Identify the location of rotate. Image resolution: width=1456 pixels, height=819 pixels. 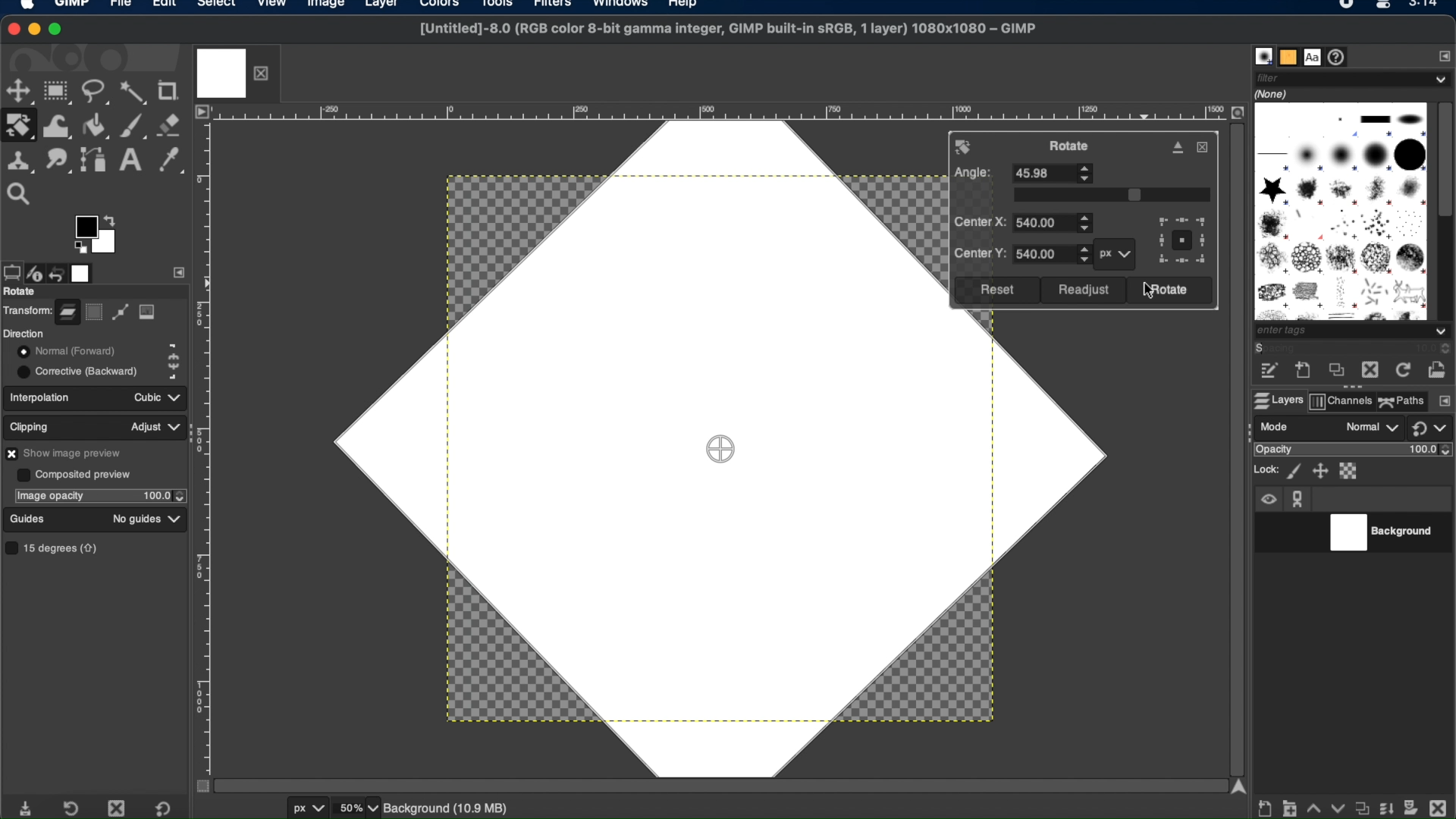
(1072, 146).